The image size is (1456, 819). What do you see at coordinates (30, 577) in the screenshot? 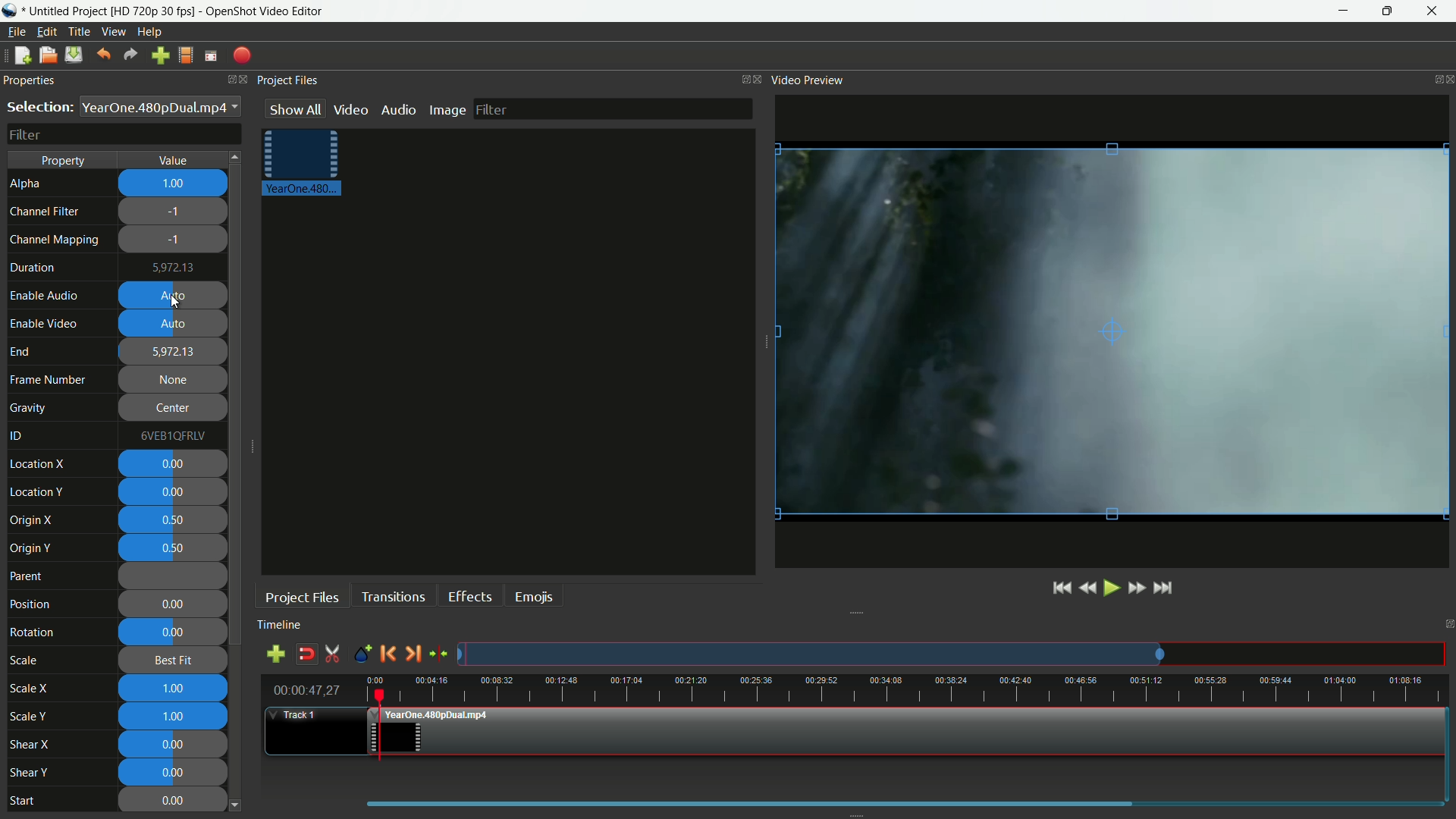
I see `parent` at bounding box center [30, 577].